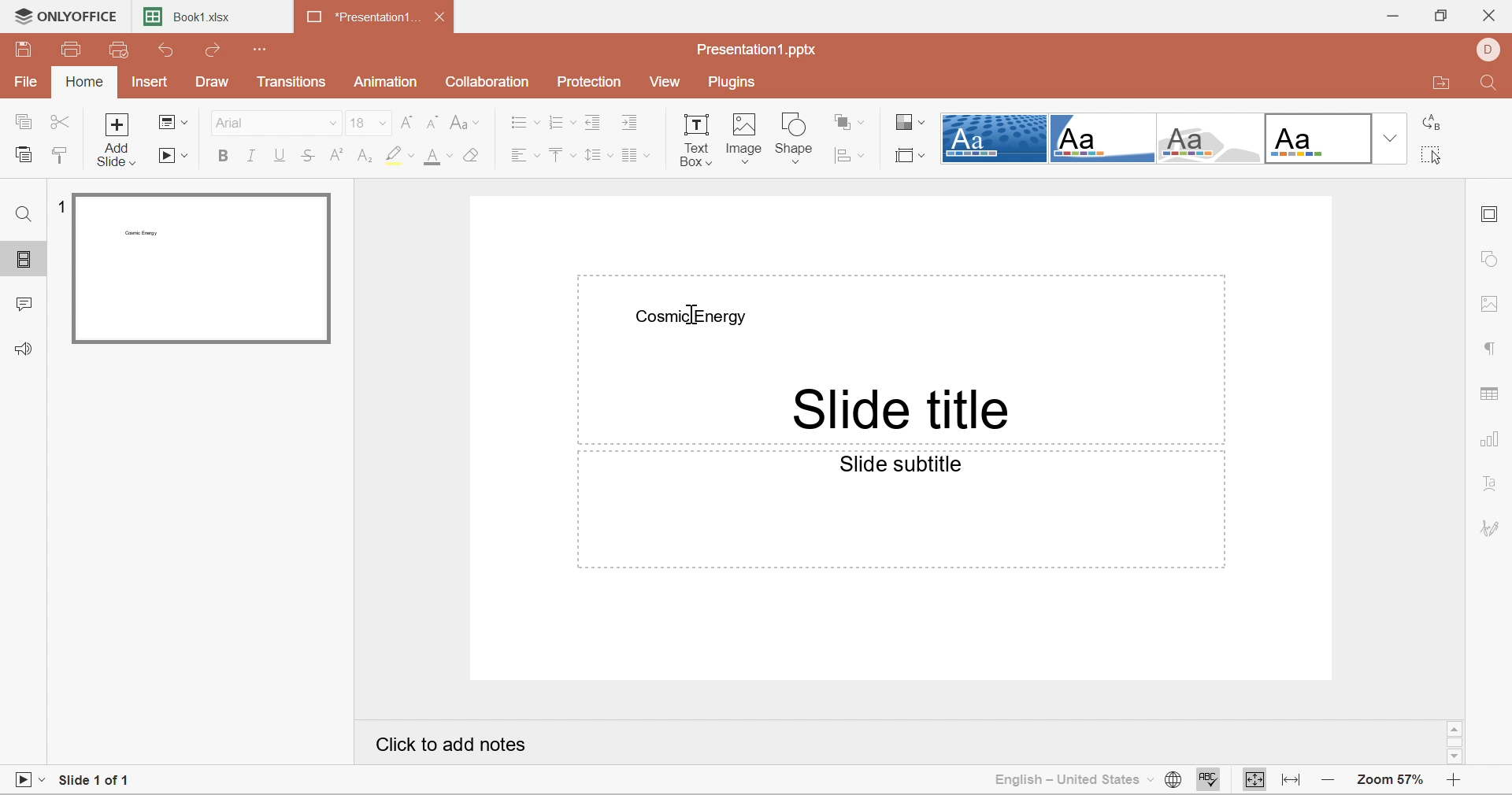 This screenshot has width=1512, height=795. What do you see at coordinates (559, 156) in the screenshot?
I see `Align Top` at bounding box center [559, 156].